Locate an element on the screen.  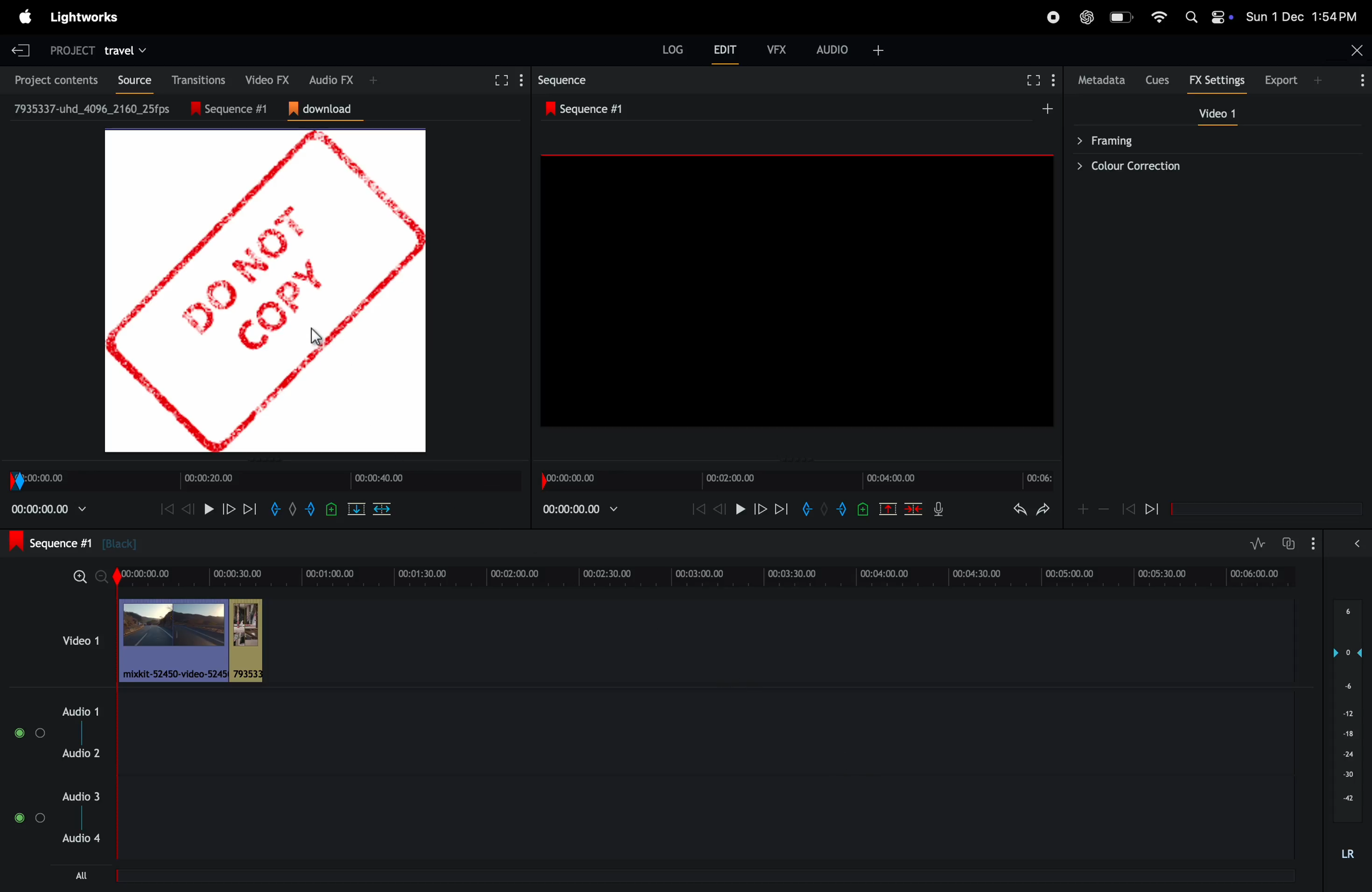
Settings is located at coordinates (1053, 80).